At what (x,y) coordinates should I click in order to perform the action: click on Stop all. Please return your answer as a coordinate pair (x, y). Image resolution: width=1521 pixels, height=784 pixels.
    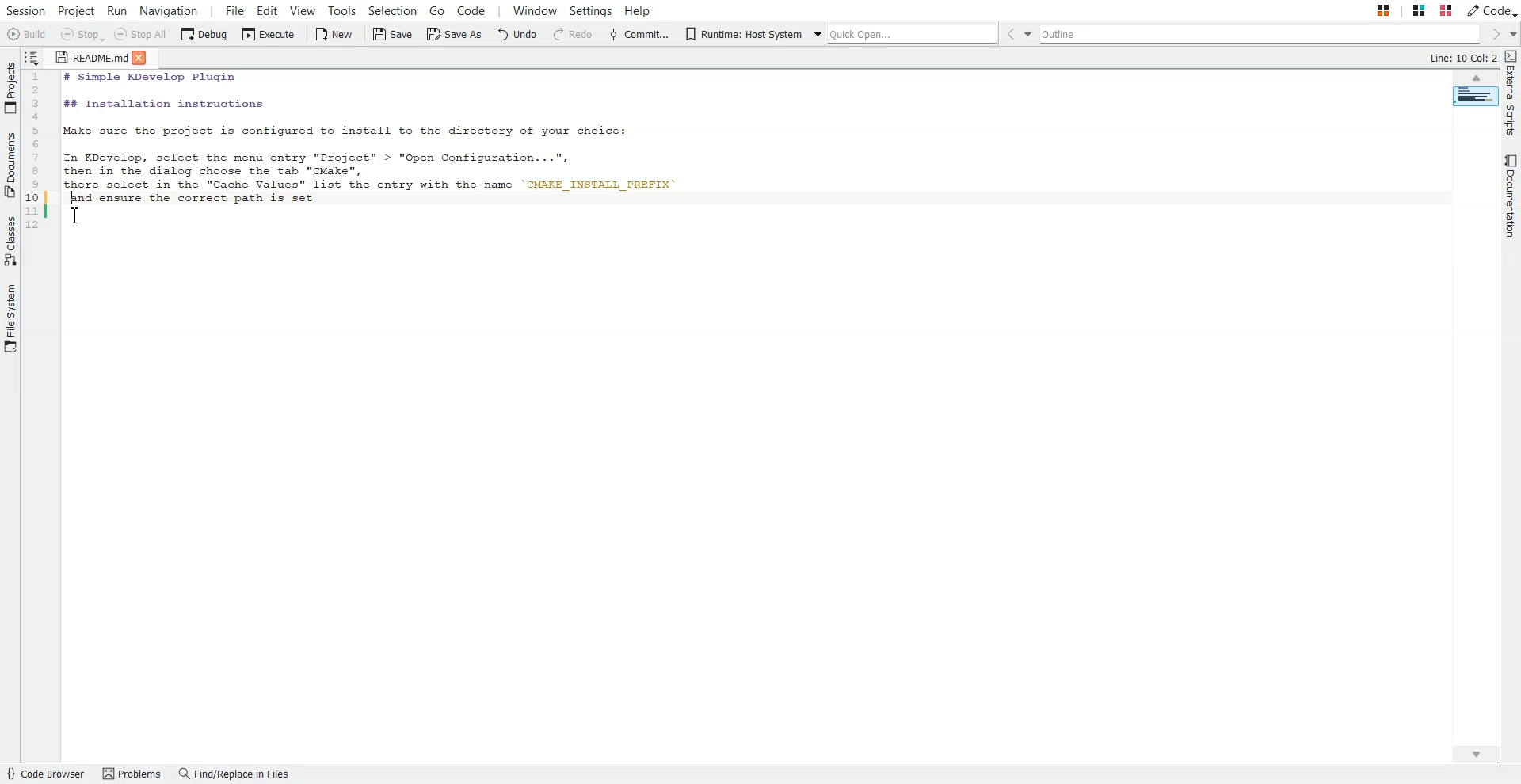
    Looking at the image, I should click on (140, 35).